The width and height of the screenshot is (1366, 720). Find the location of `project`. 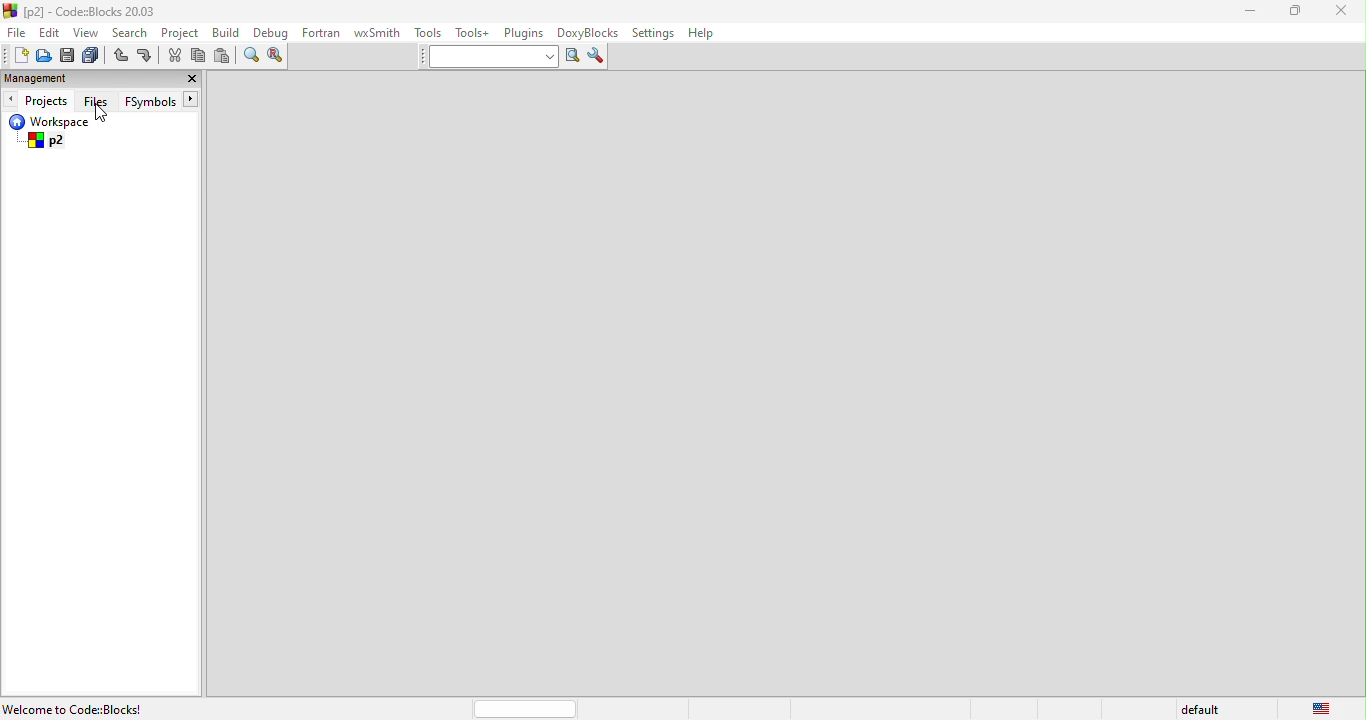

project is located at coordinates (181, 33).